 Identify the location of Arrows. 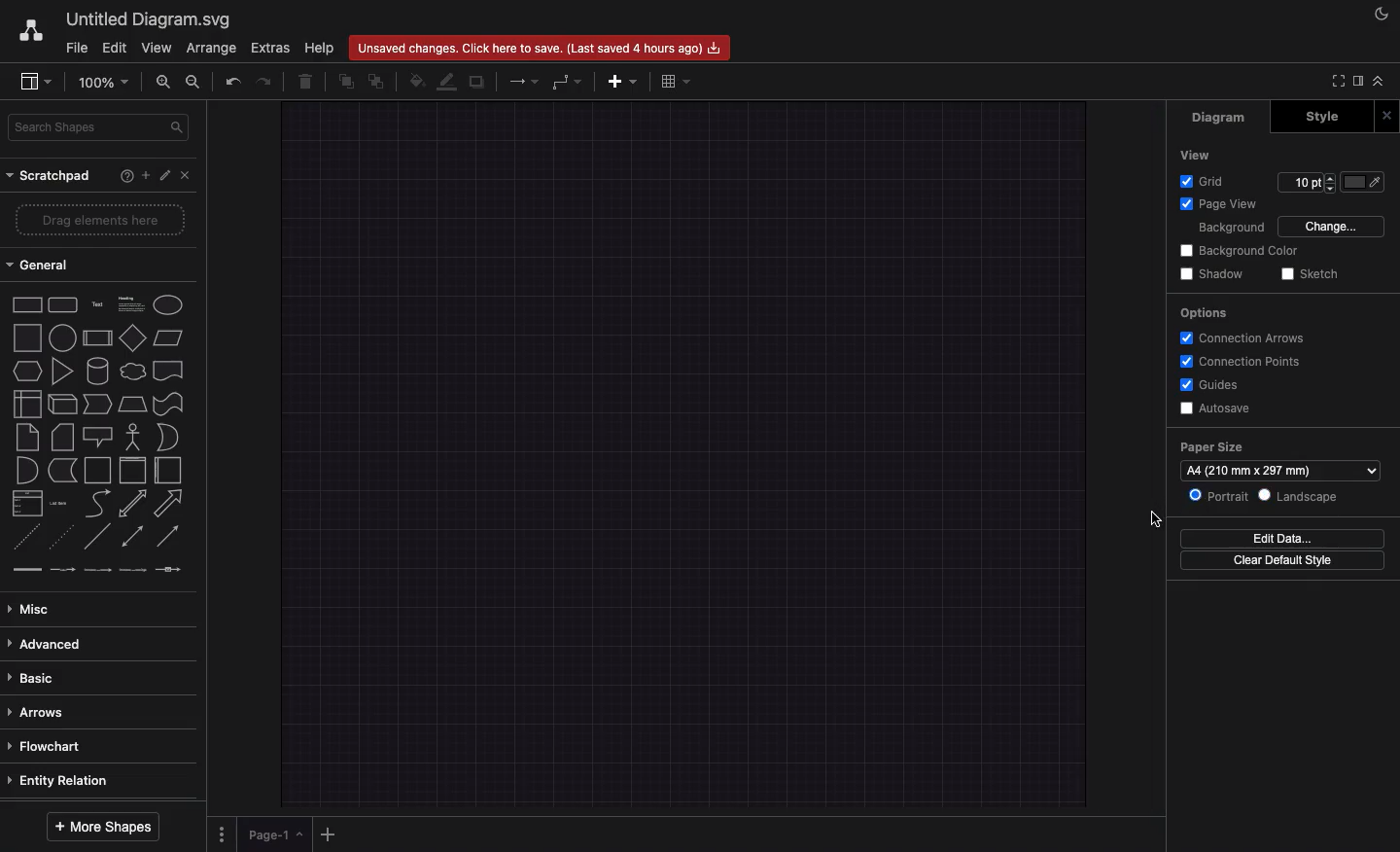
(39, 713).